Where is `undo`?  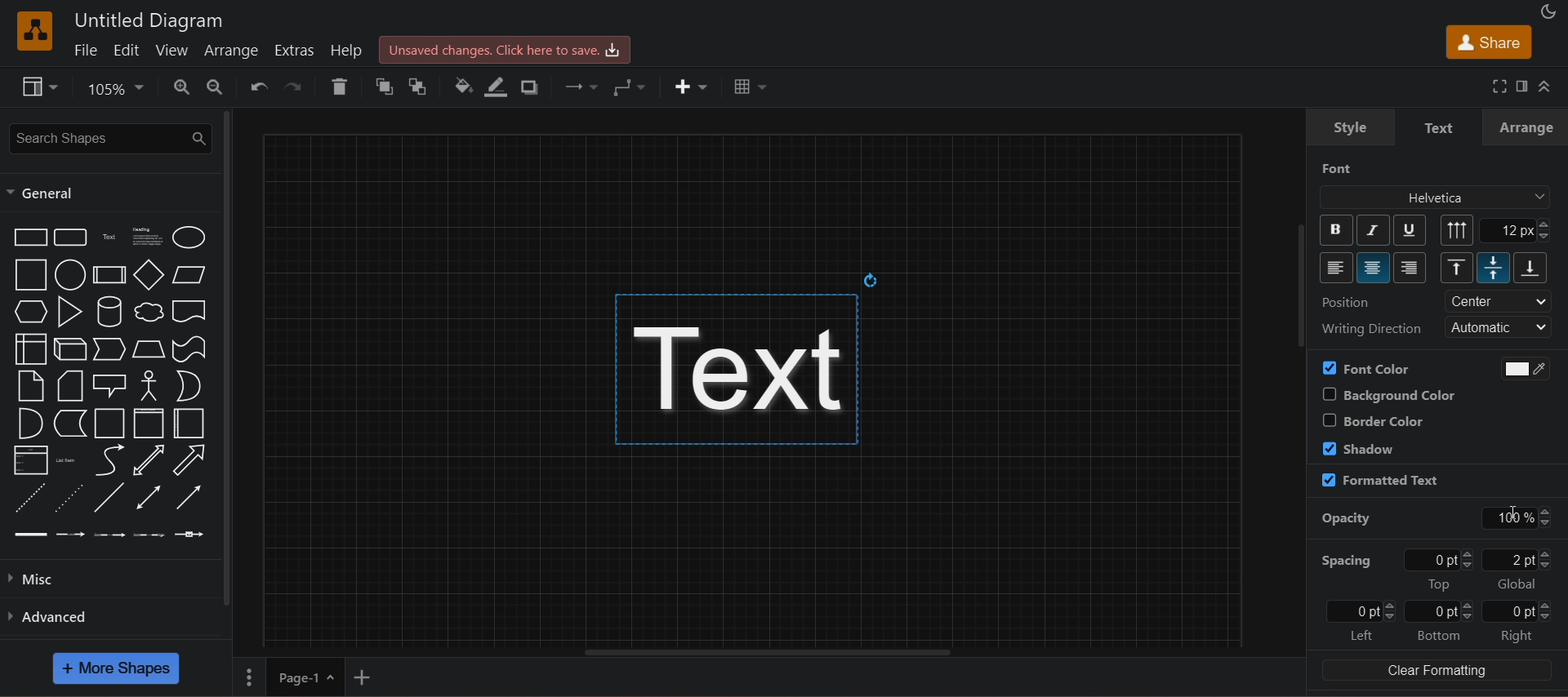
undo is located at coordinates (257, 87).